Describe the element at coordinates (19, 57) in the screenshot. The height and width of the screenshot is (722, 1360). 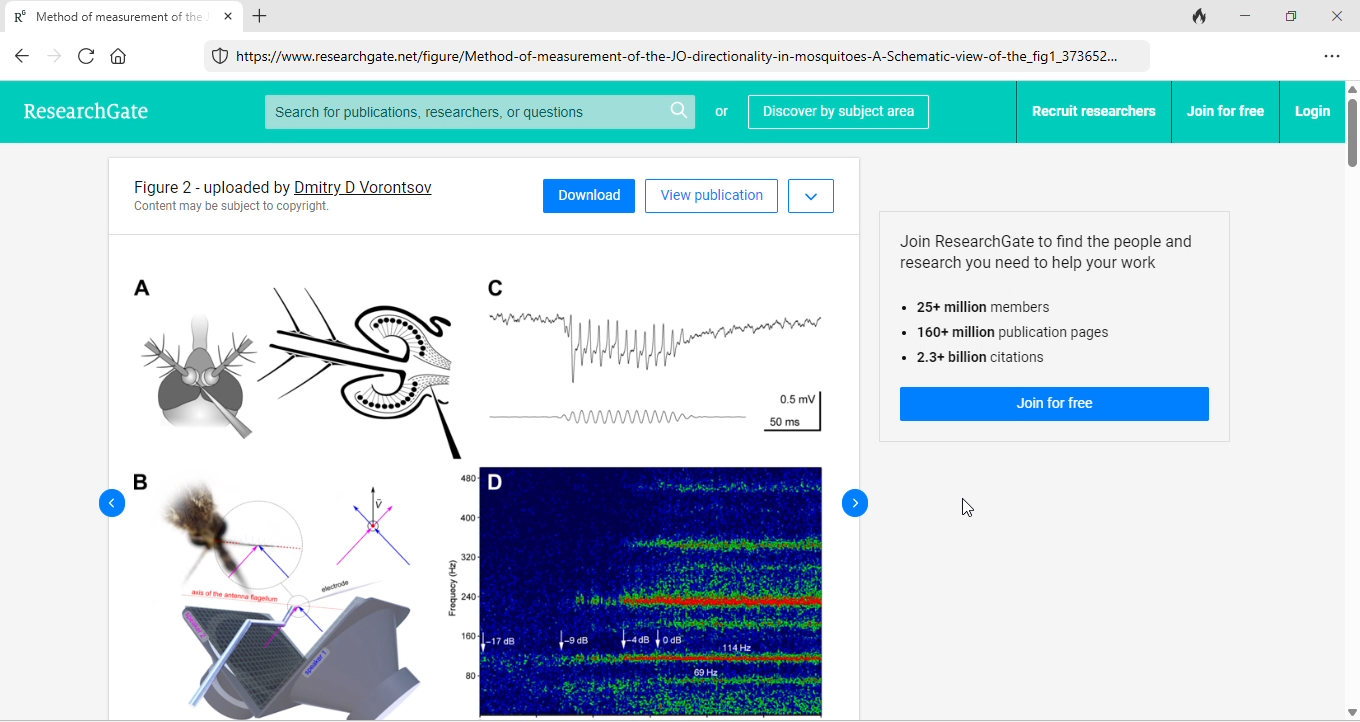
I see `back` at that location.